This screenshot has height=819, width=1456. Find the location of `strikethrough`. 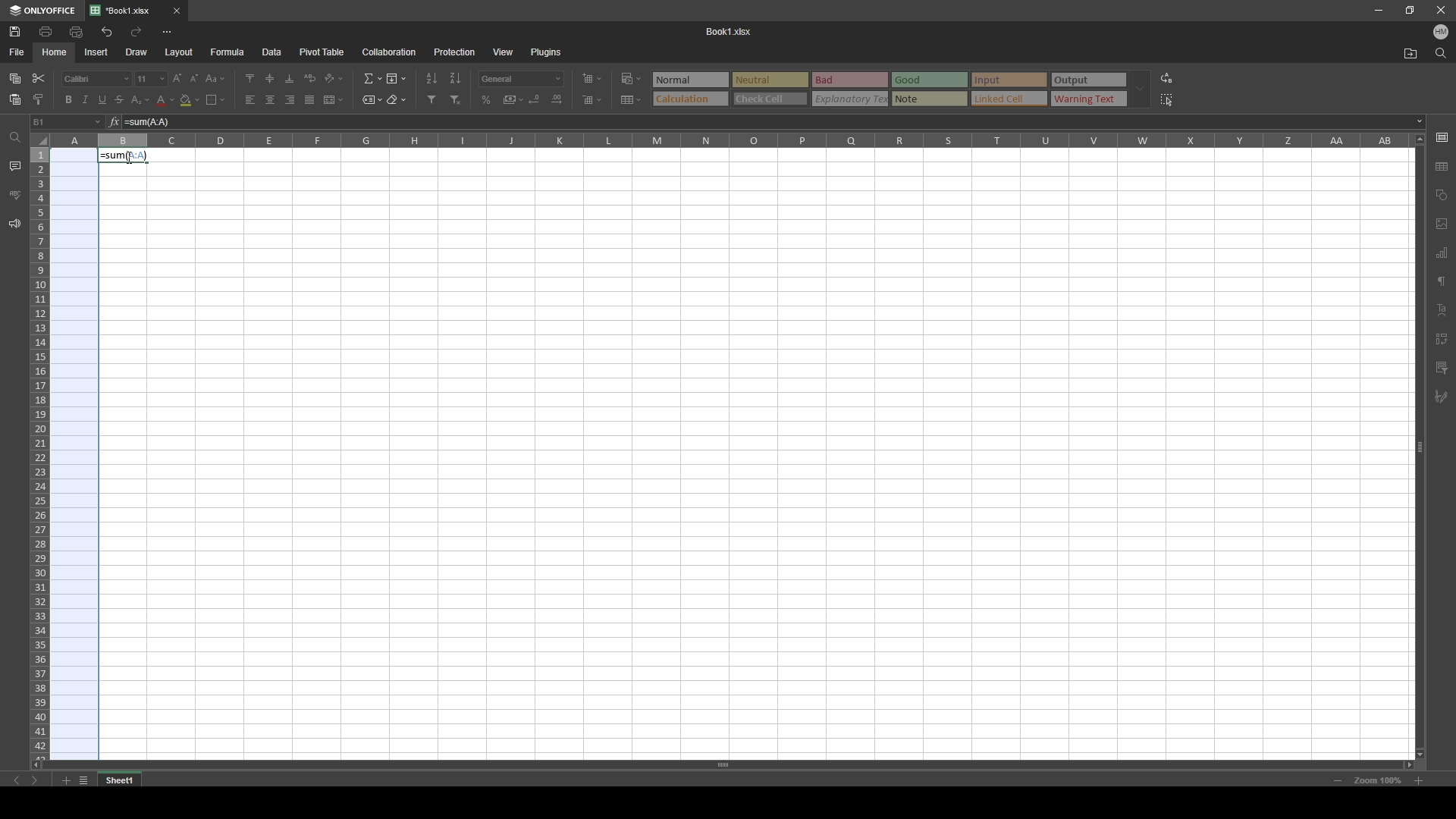

strikethrough is located at coordinates (120, 99).